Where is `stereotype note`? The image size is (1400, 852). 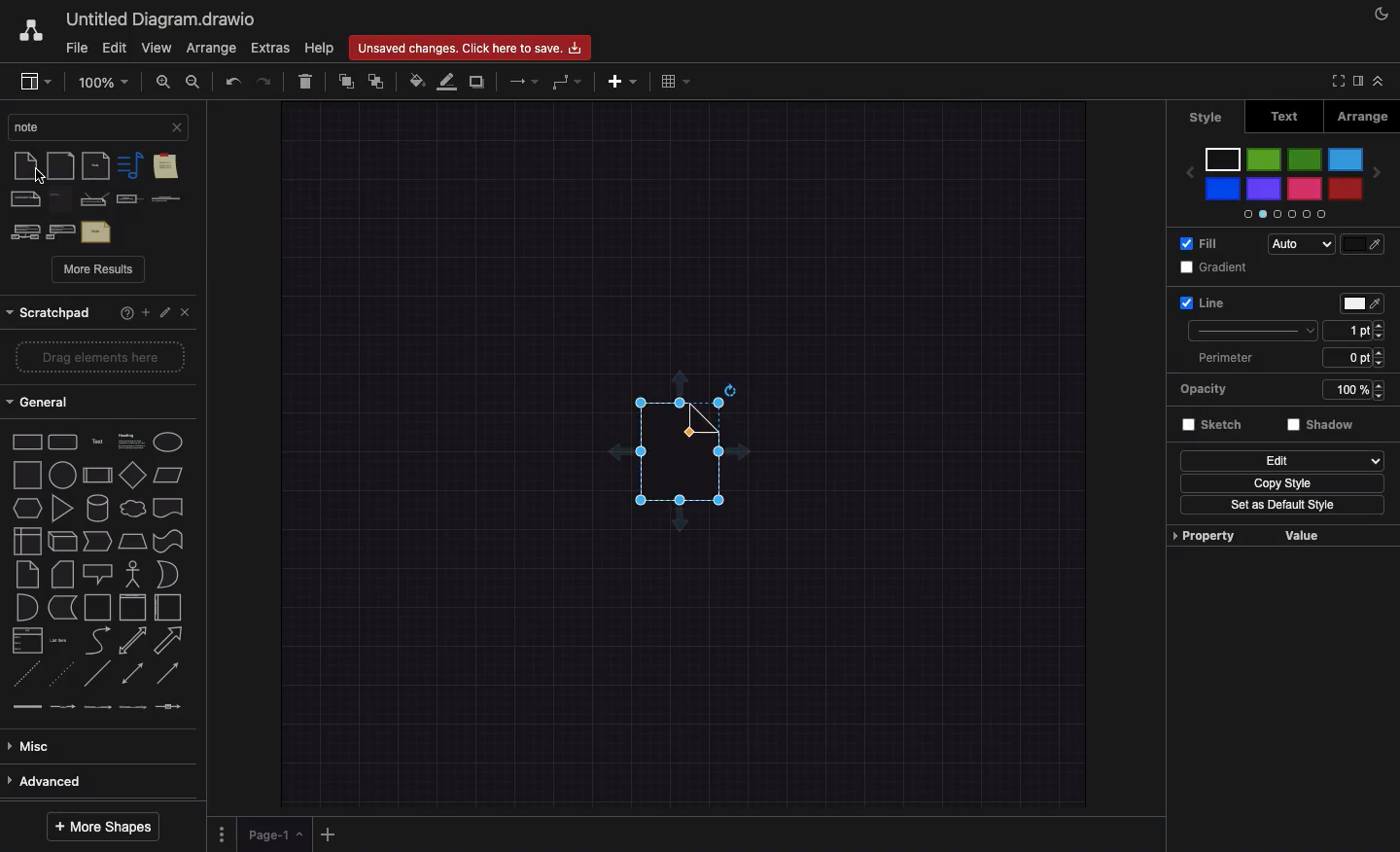 stereotype note is located at coordinates (61, 231).